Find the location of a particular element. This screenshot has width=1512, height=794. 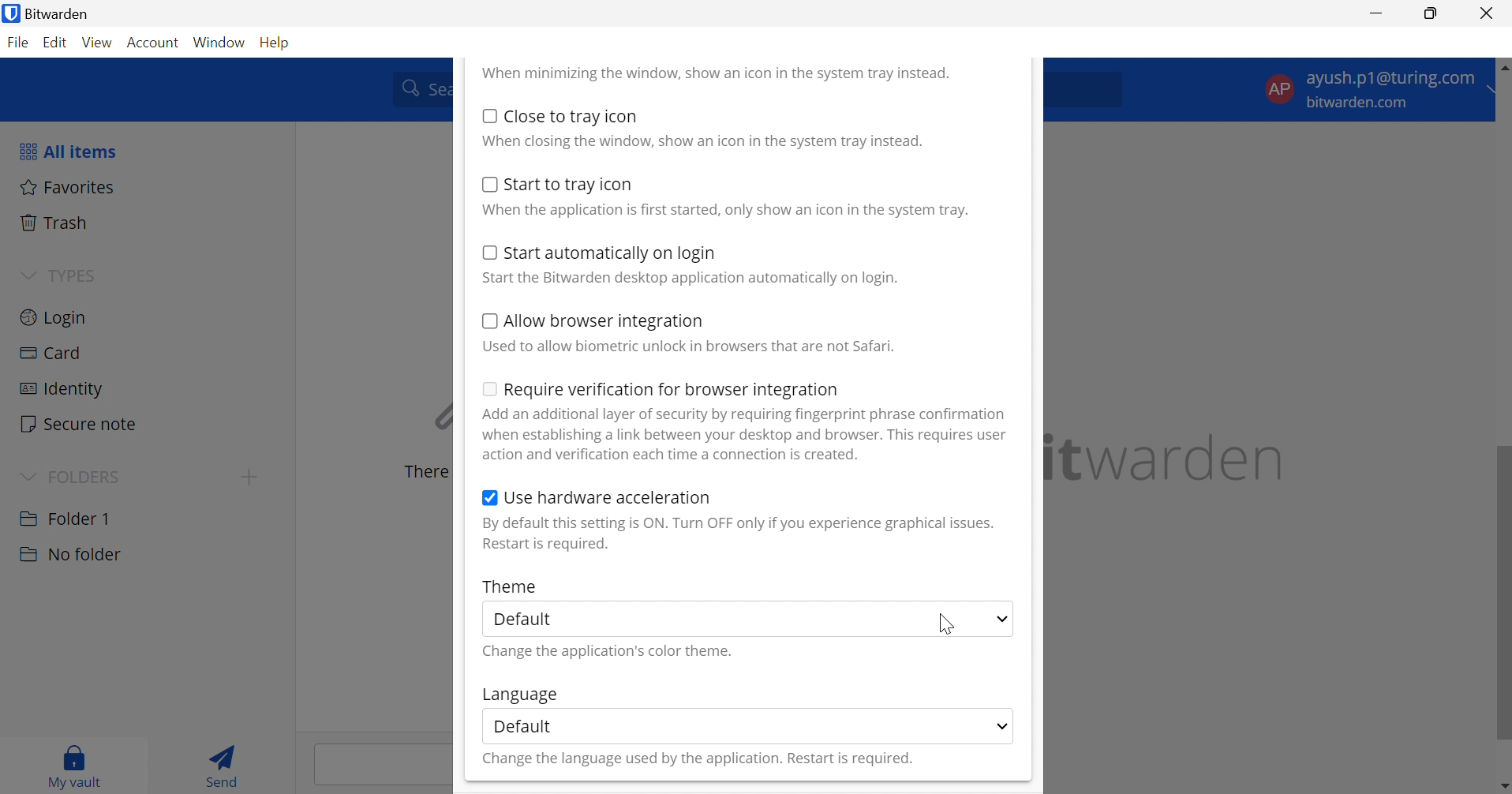

Search vault is located at coordinates (417, 88).